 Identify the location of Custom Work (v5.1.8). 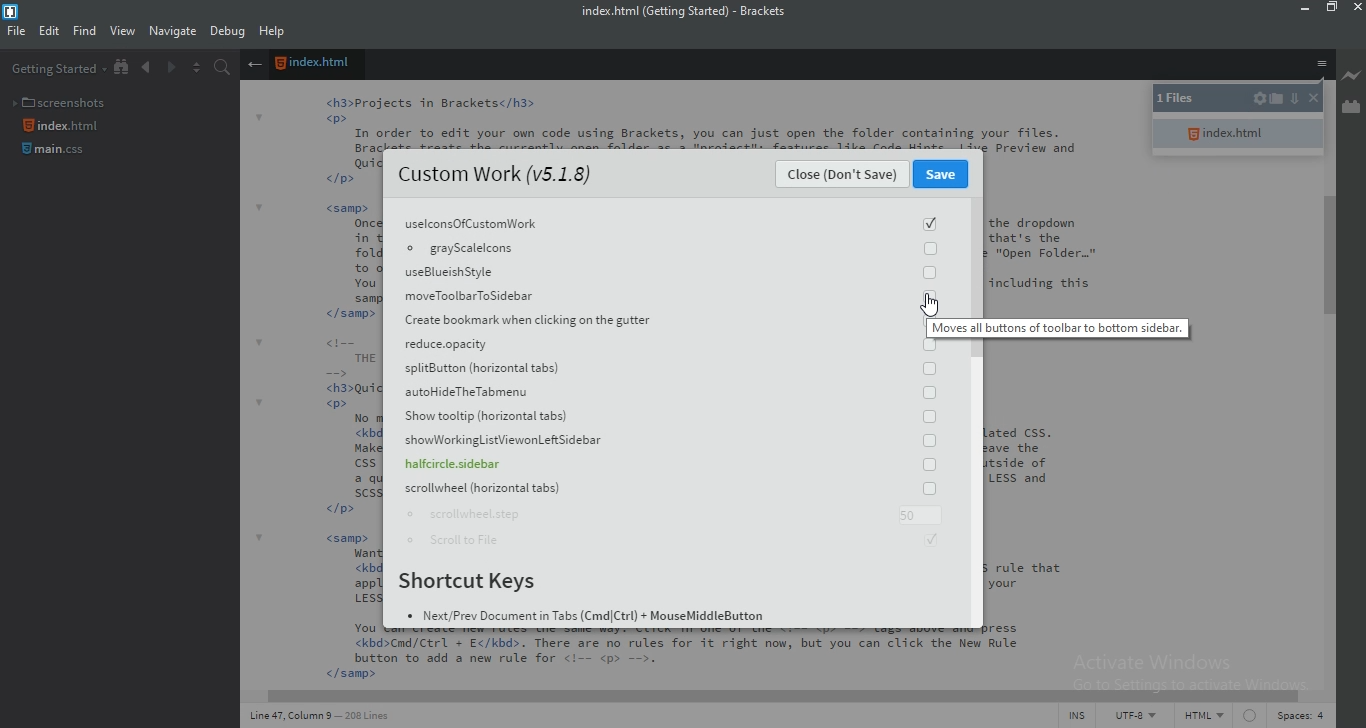
(494, 175).